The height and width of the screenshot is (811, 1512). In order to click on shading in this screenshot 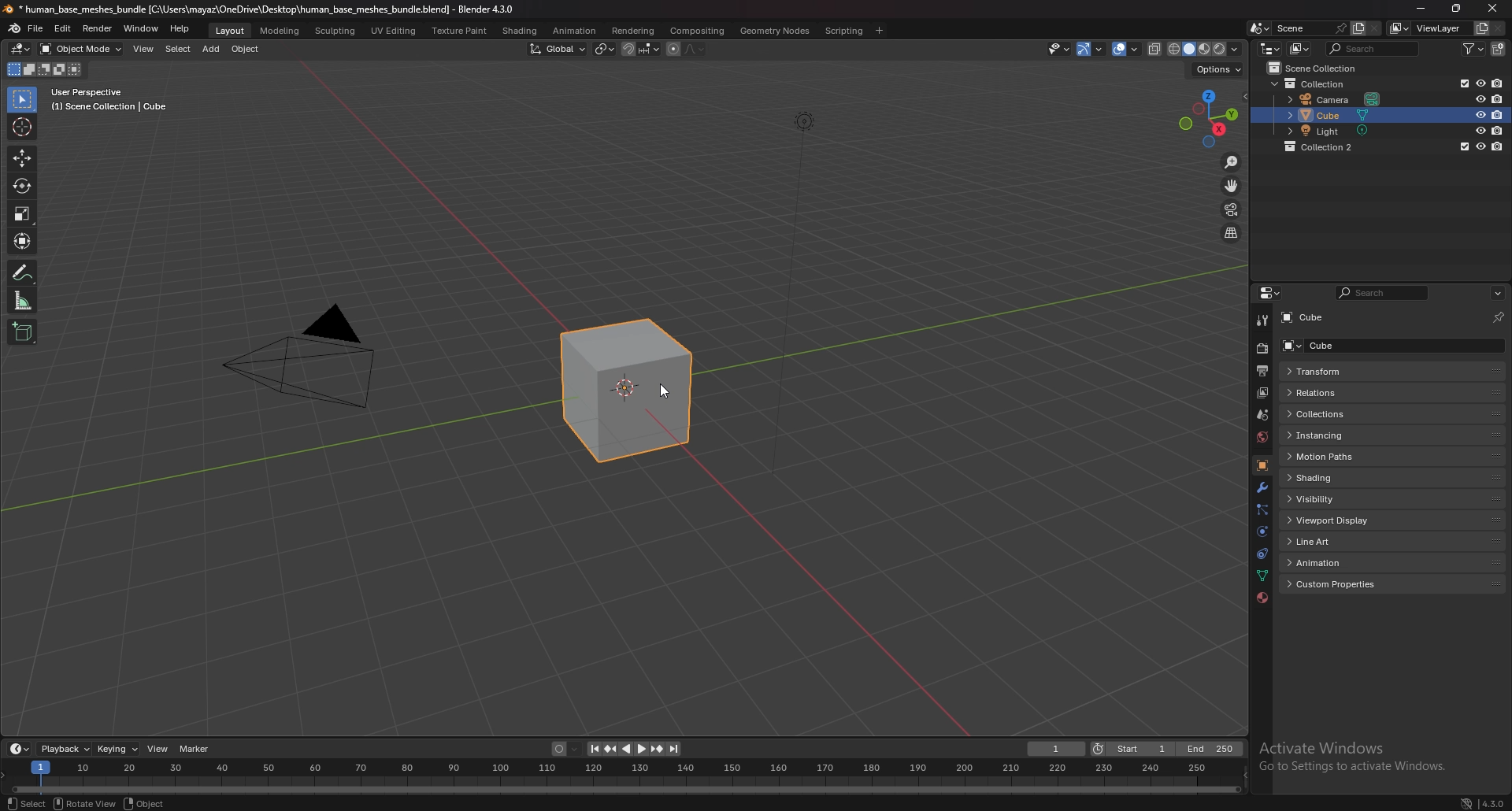, I will do `click(1343, 477)`.